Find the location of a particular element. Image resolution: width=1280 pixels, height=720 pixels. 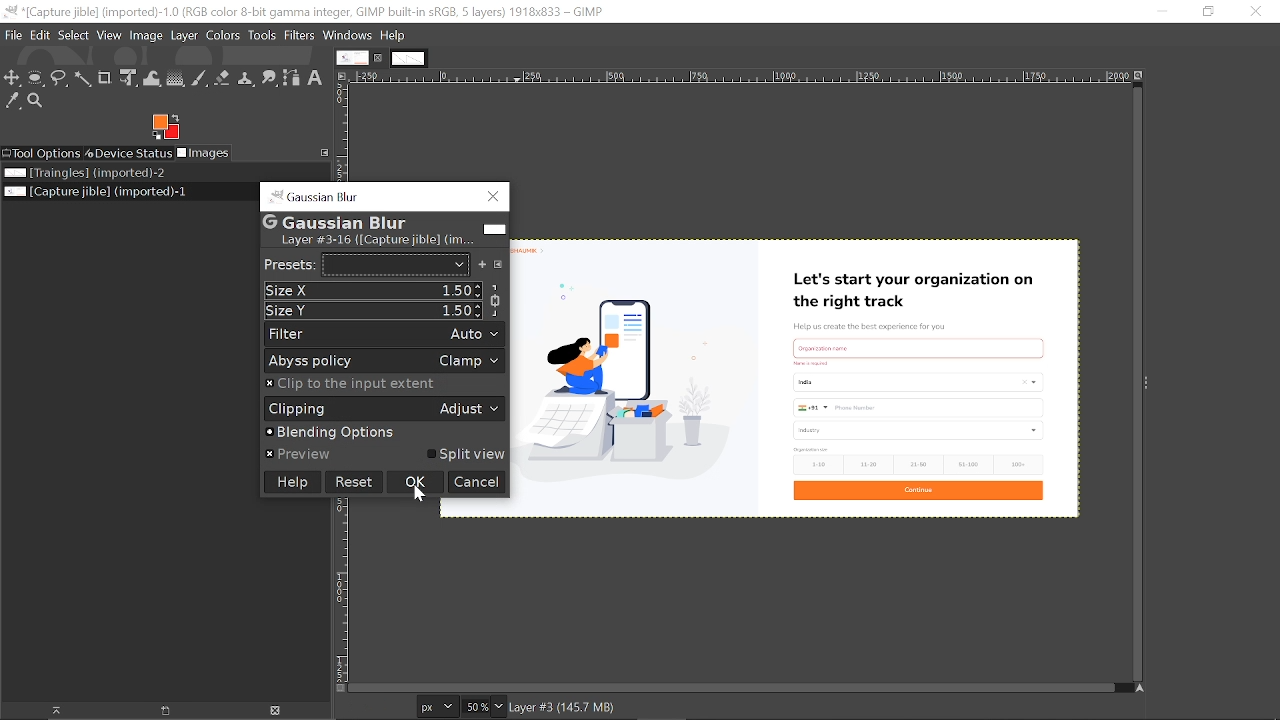

Zoom tool is located at coordinates (36, 101).